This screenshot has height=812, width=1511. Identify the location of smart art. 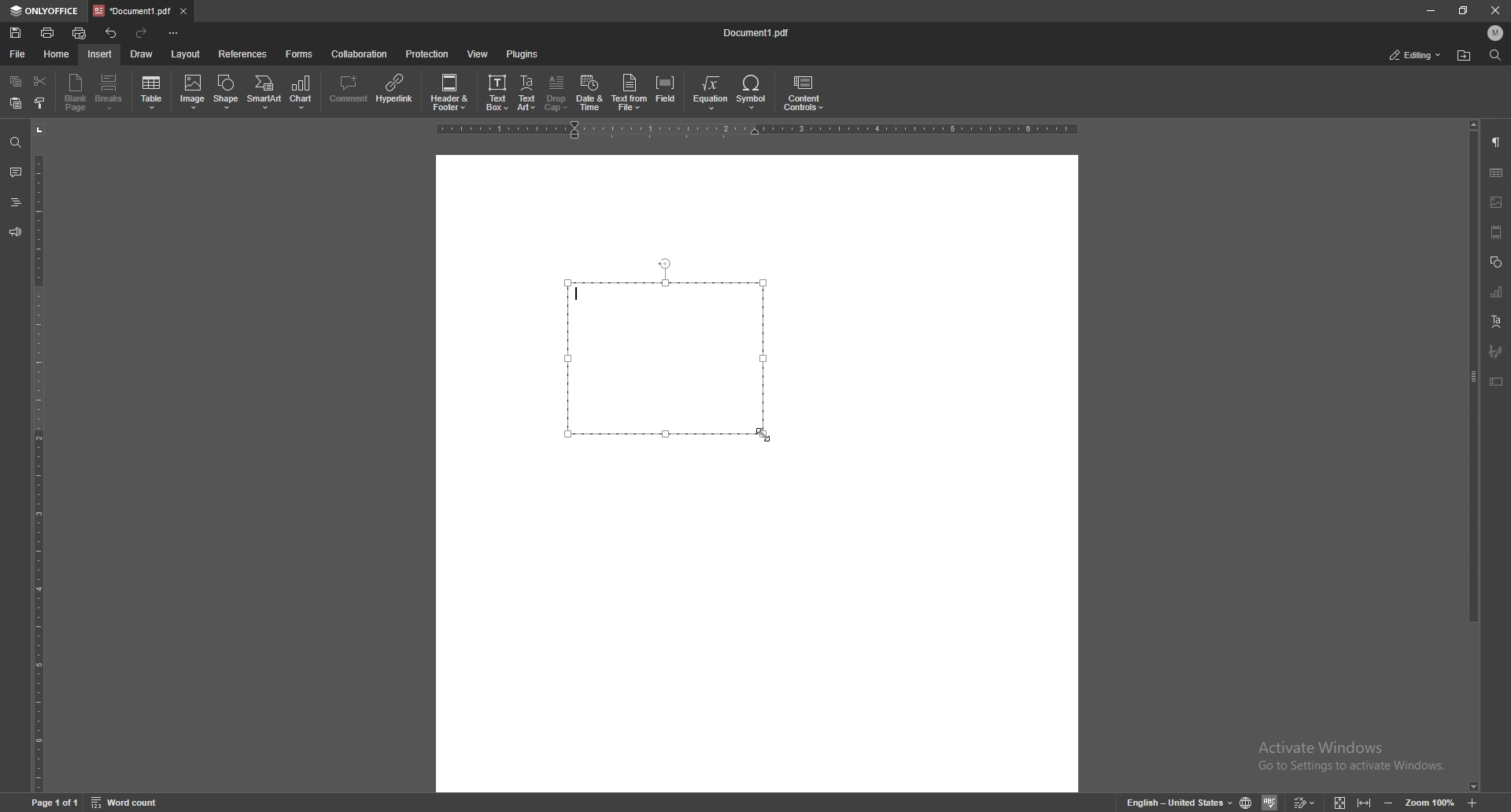
(264, 92).